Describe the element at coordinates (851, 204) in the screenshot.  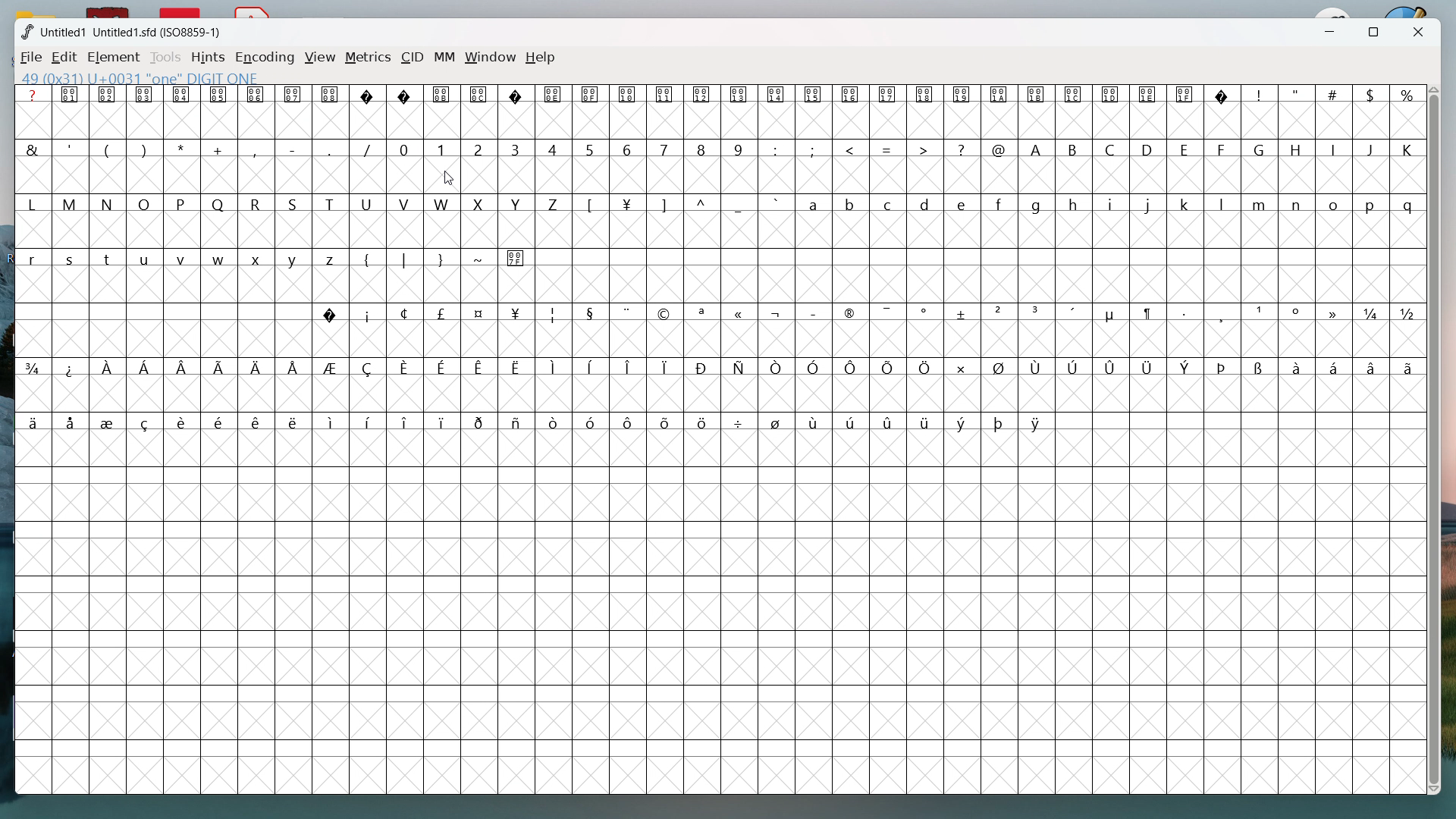
I see `b` at that location.